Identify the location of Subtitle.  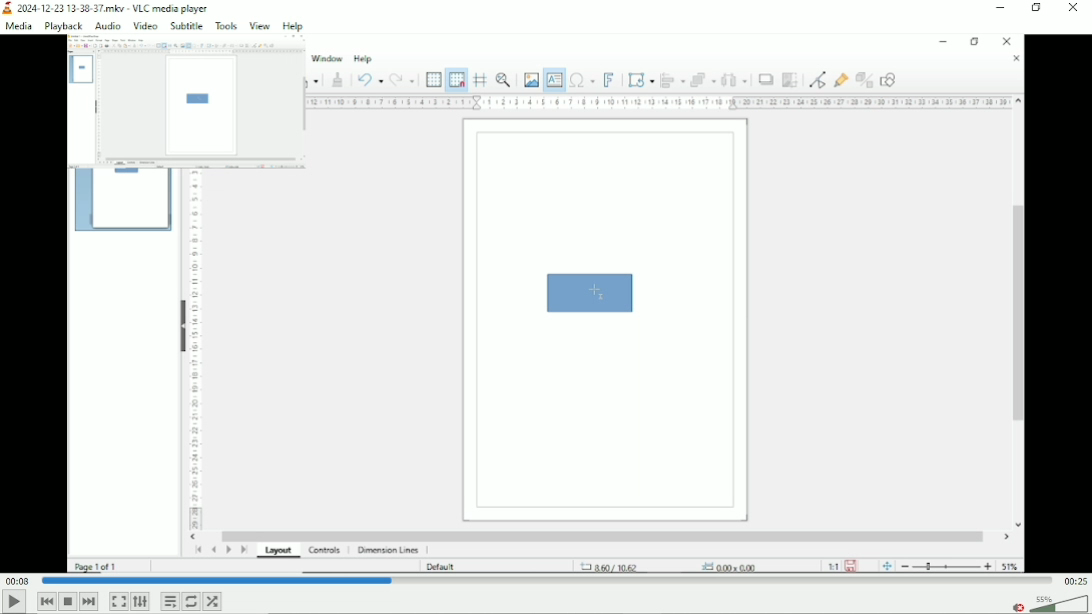
(185, 26).